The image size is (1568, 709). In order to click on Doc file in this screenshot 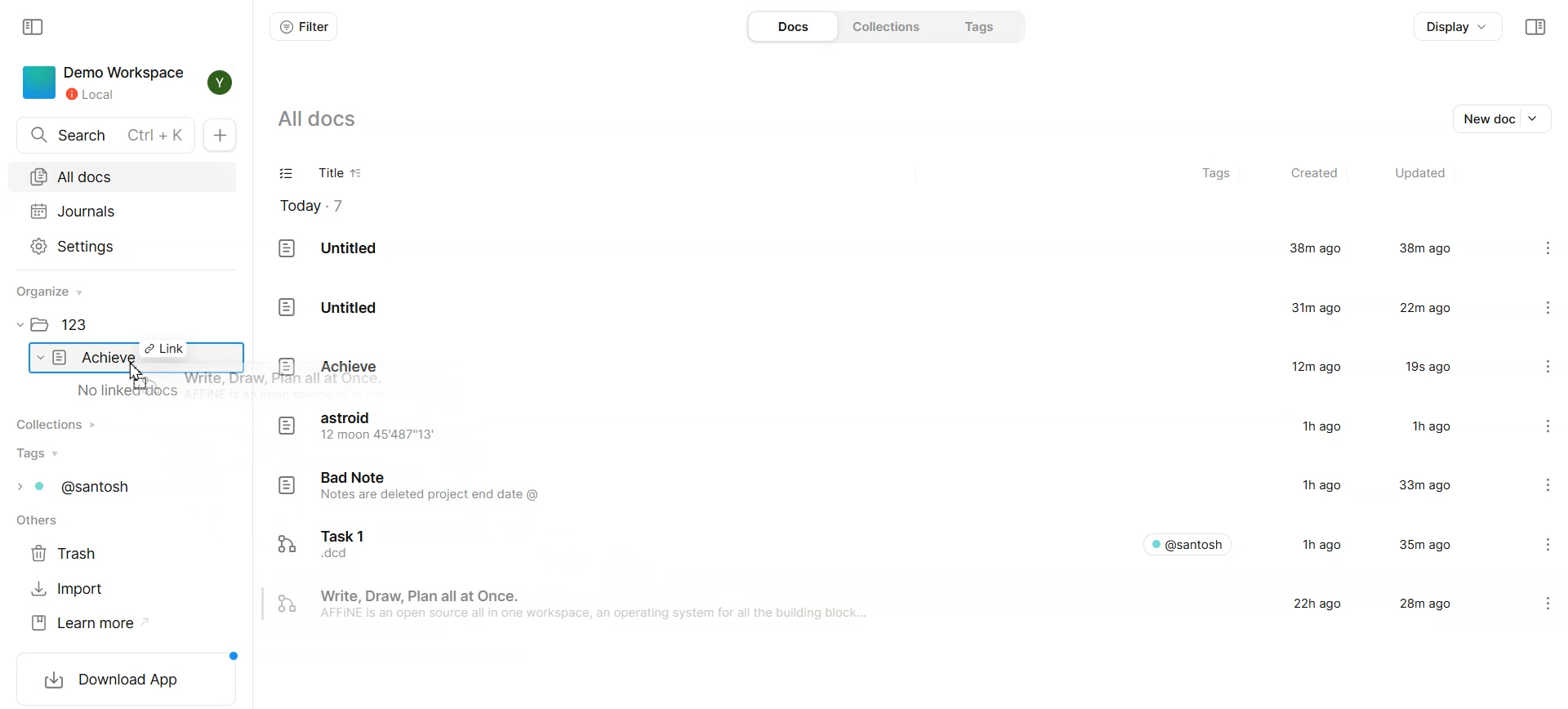, I will do `click(878, 367)`.